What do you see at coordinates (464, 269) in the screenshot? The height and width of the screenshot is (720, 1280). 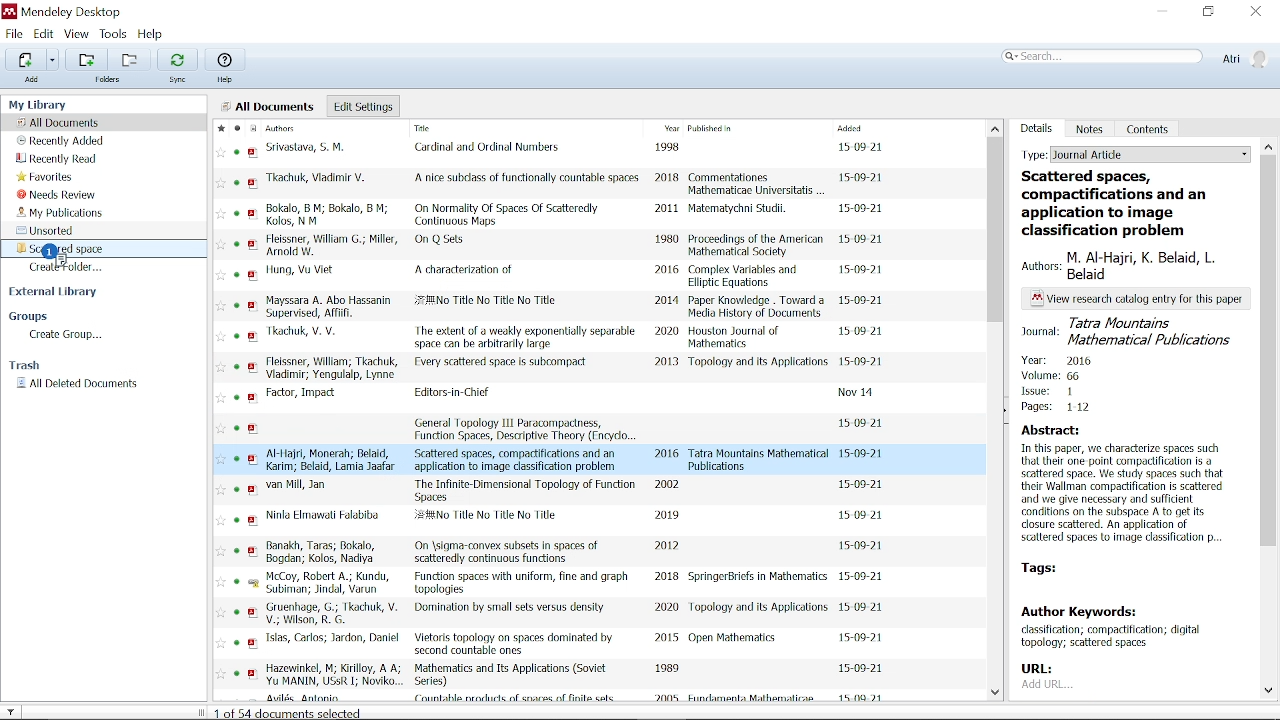 I see `title` at bounding box center [464, 269].